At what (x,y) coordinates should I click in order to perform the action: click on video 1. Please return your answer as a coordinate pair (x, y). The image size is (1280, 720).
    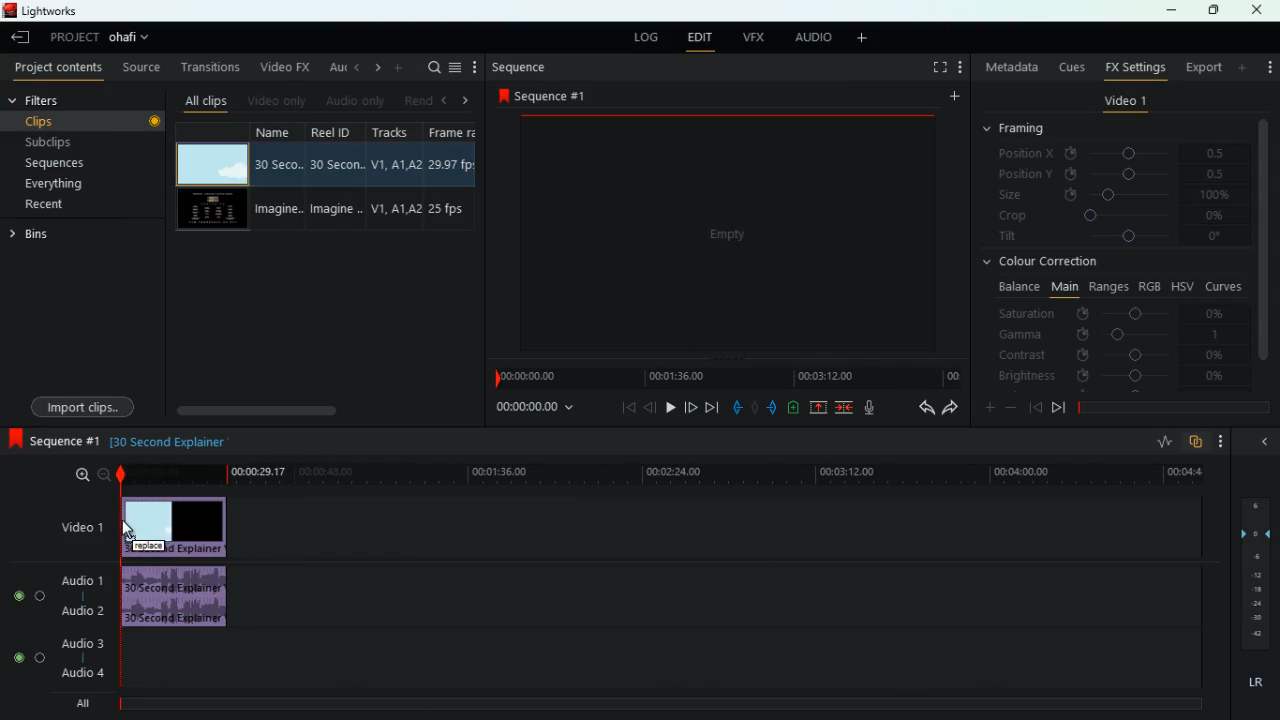
    Looking at the image, I should click on (1125, 104).